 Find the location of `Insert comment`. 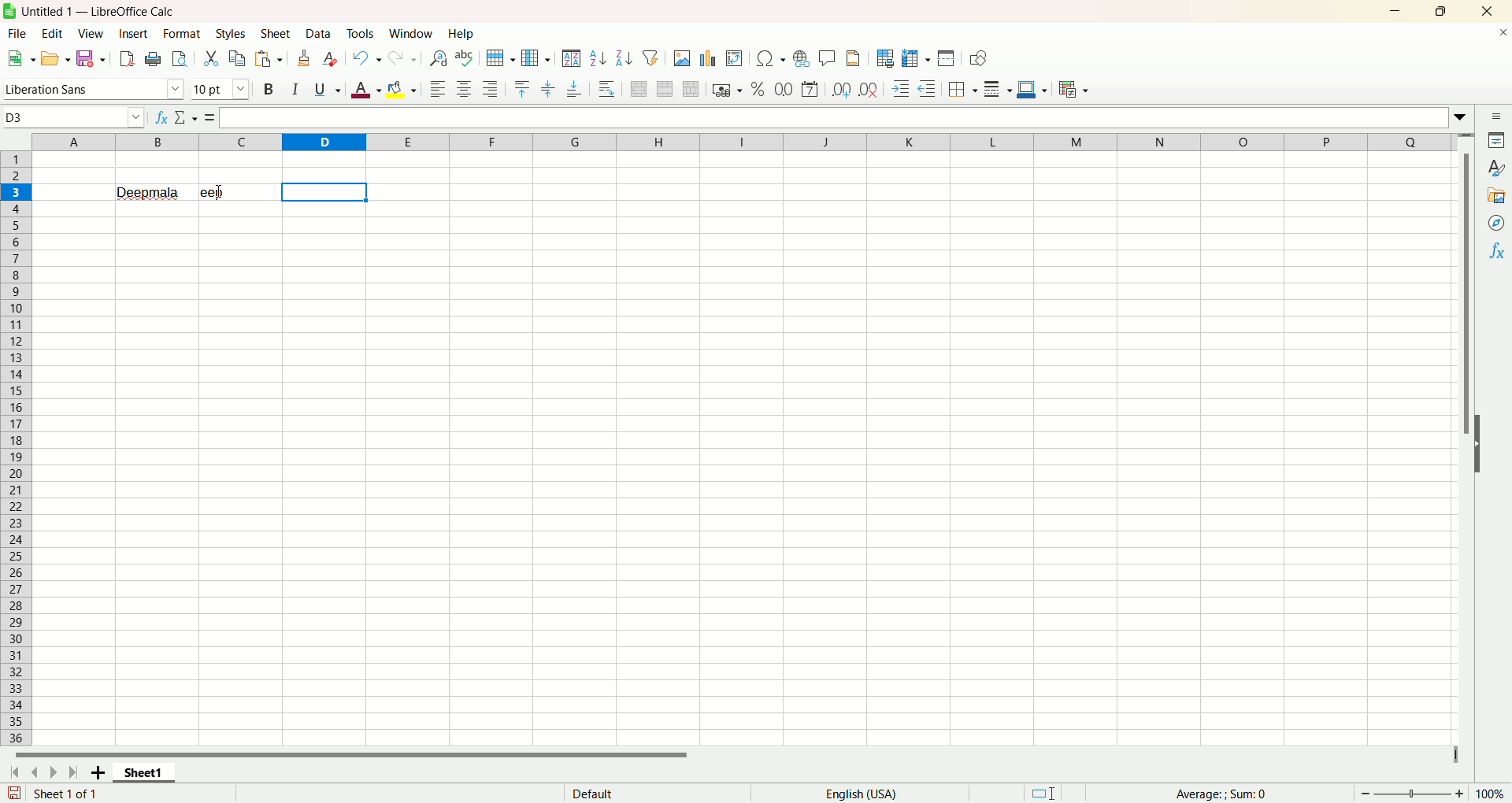

Insert comment is located at coordinates (828, 56).